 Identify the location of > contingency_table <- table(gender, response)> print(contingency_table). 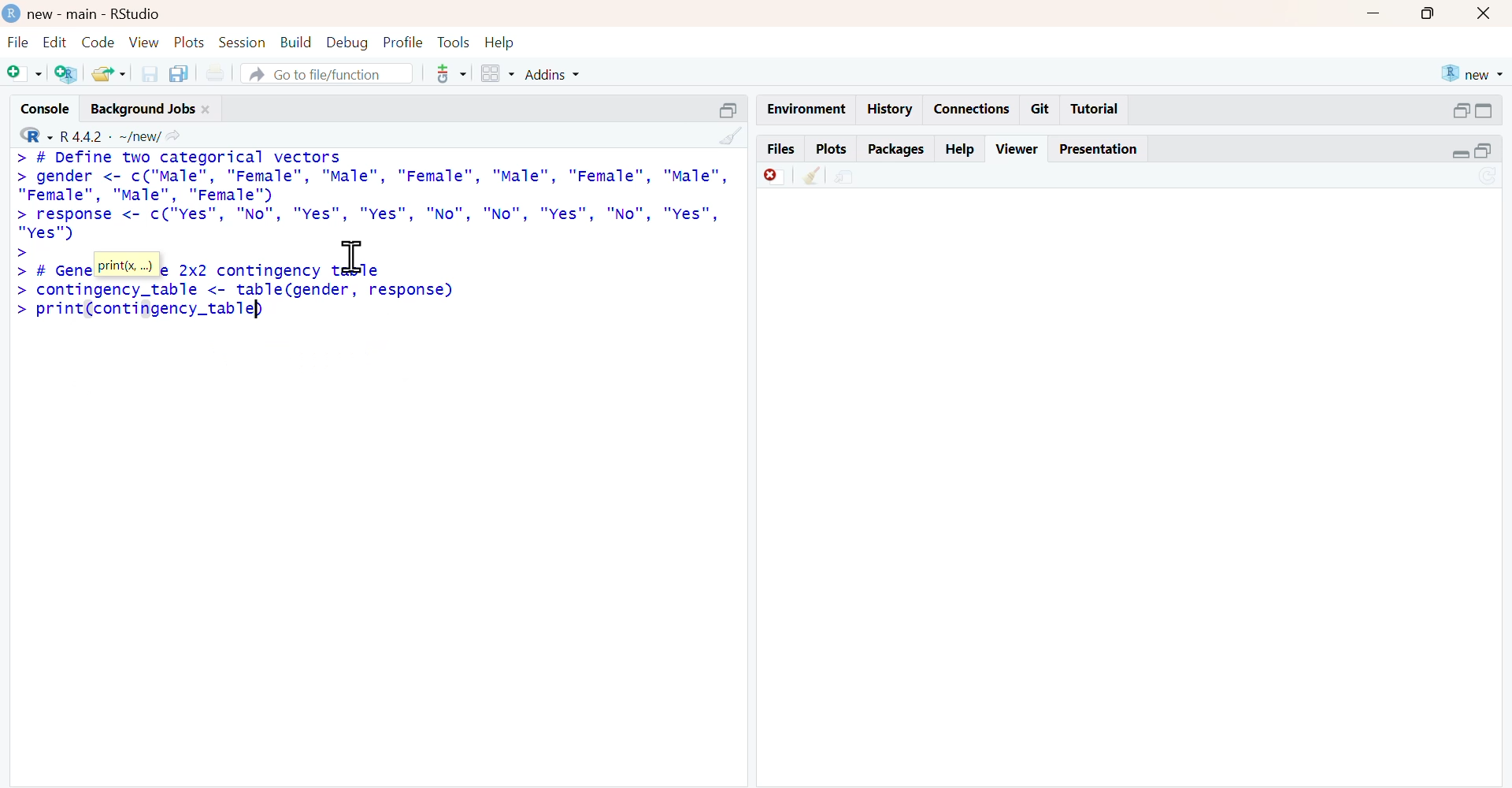
(236, 302).